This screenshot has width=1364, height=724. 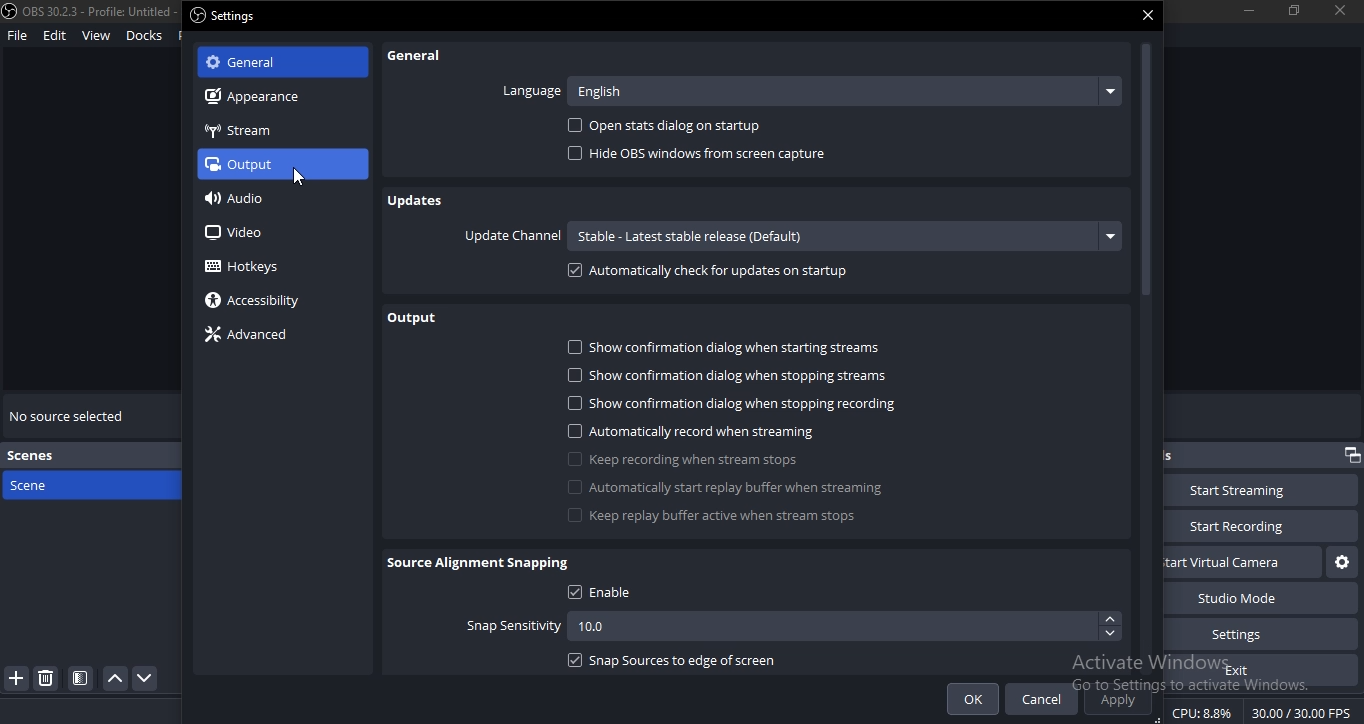 What do you see at coordinates (1111, 634) in the screenshot?
I see `down` at bounding box center [1111, 634].